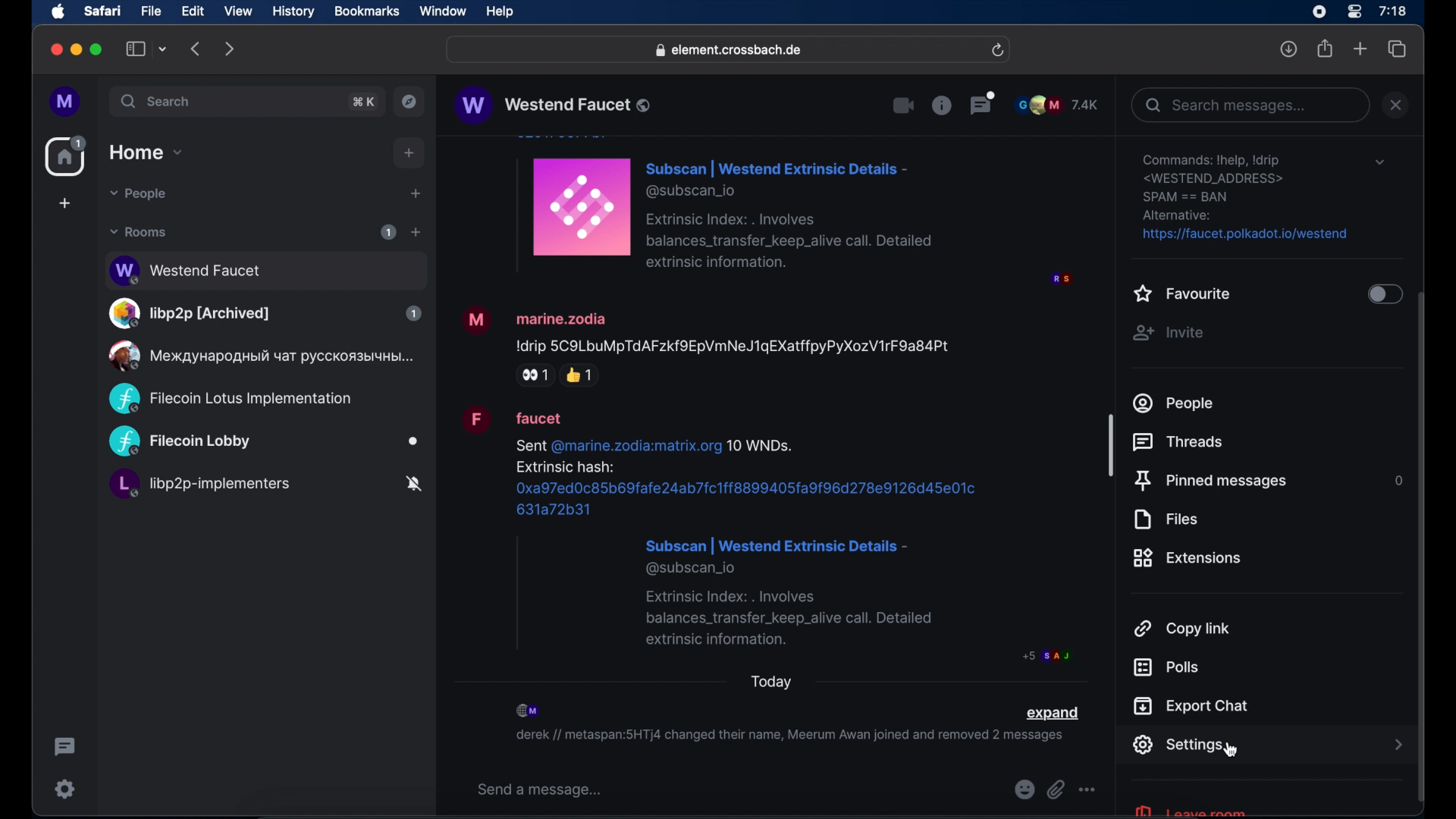 The height and width of the screenshot is (819, 1456). Describe the element at coordinates (1379, 162) in the screenshot. I see `dropdown` at that location.